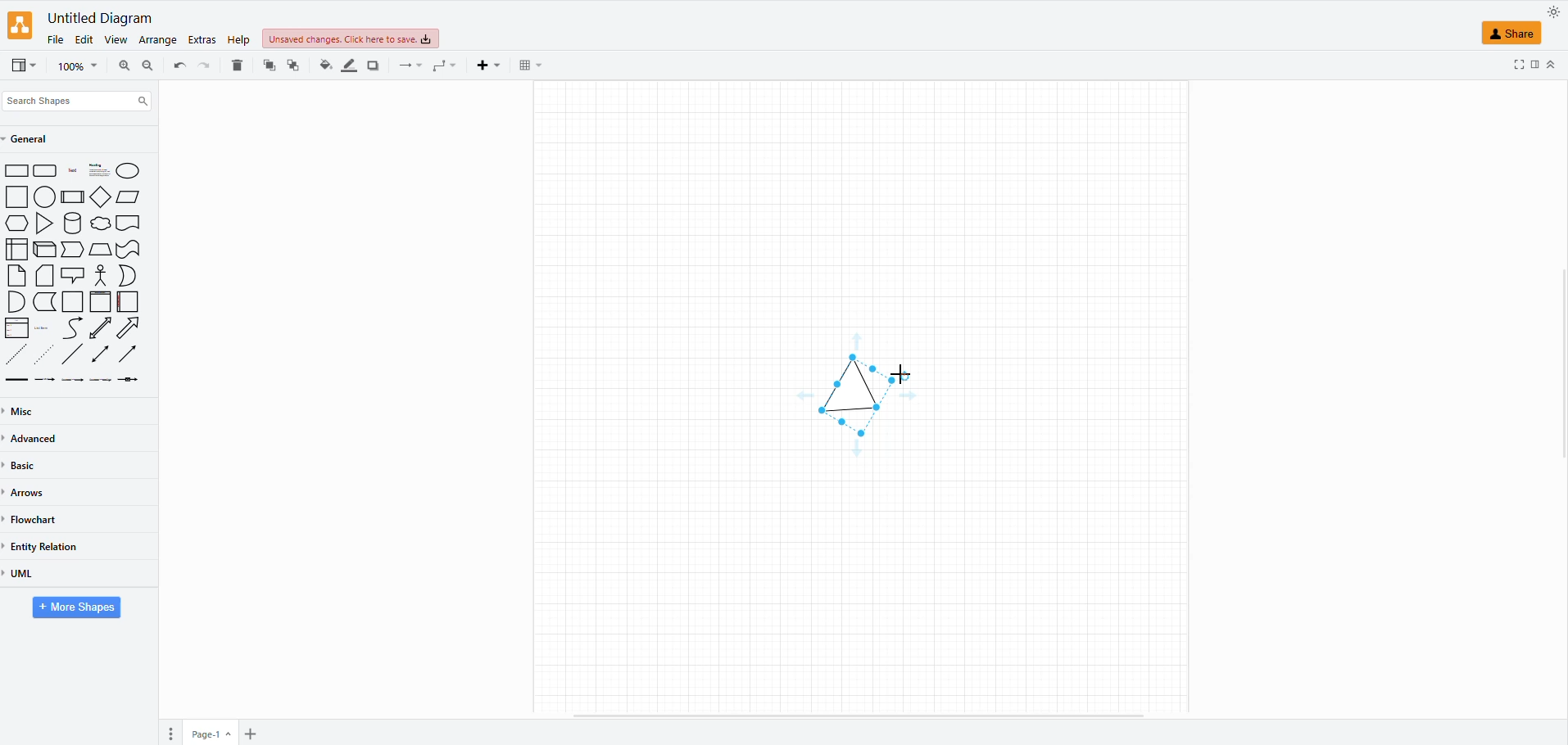 This screenshot has width=1568, height=745. What do you see at coordinates (54, 38) in the screenshot?
I see `file` at bounding box center [54, 38].